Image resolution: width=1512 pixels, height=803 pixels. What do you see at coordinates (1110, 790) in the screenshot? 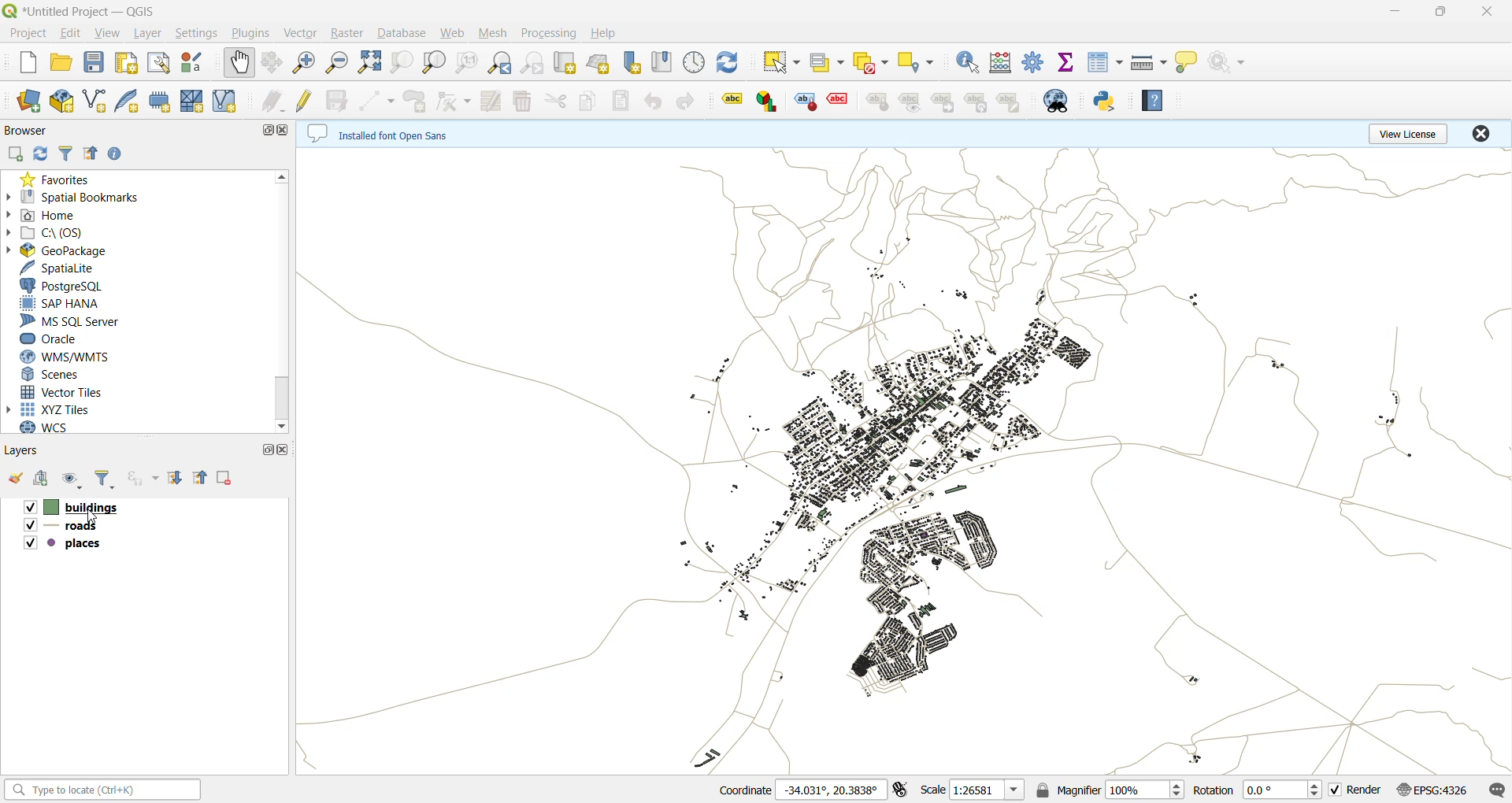
I see `magnifier` at bounding box center [1110, 790].